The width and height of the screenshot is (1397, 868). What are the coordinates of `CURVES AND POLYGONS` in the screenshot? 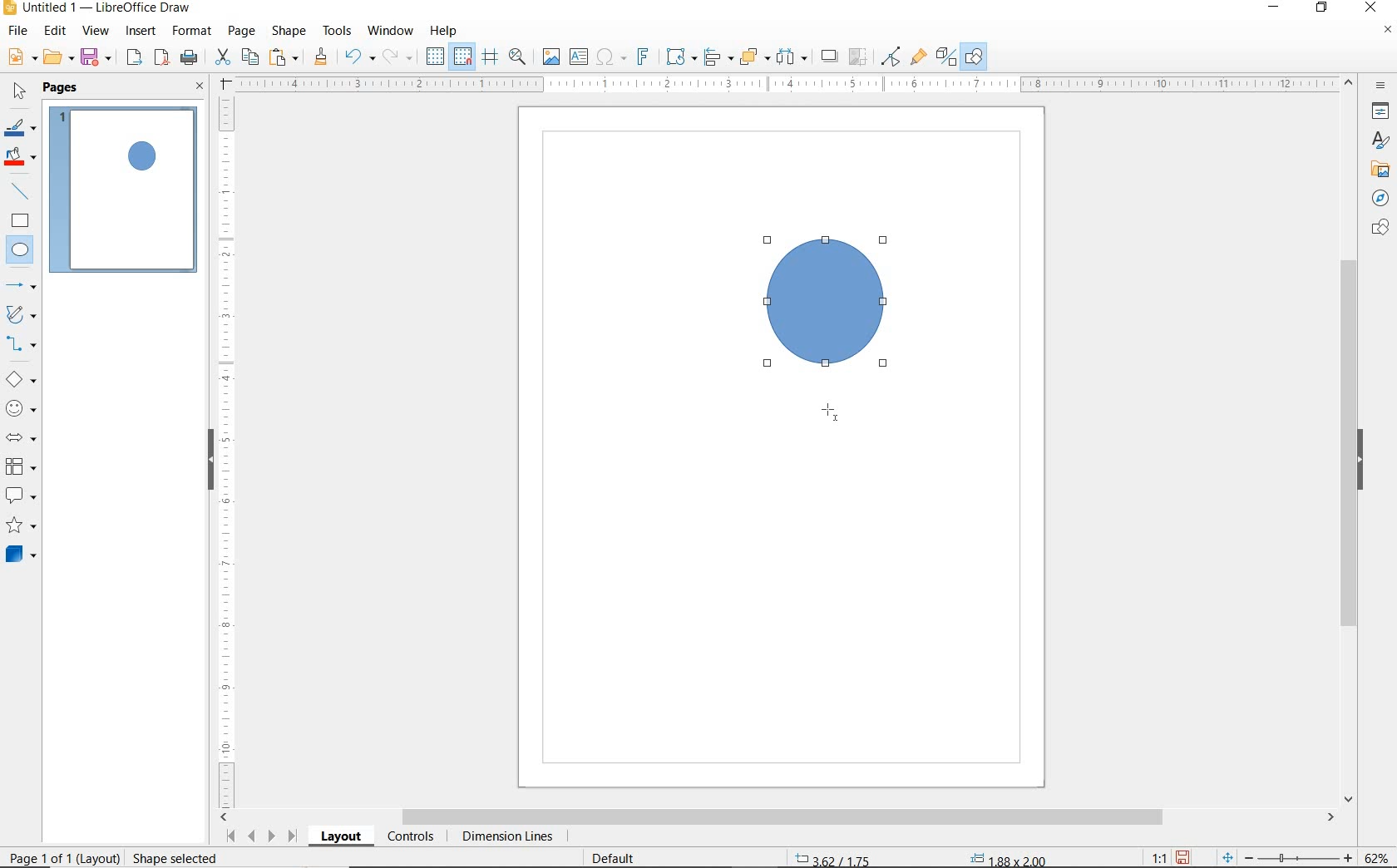 It's located at (20, 316).